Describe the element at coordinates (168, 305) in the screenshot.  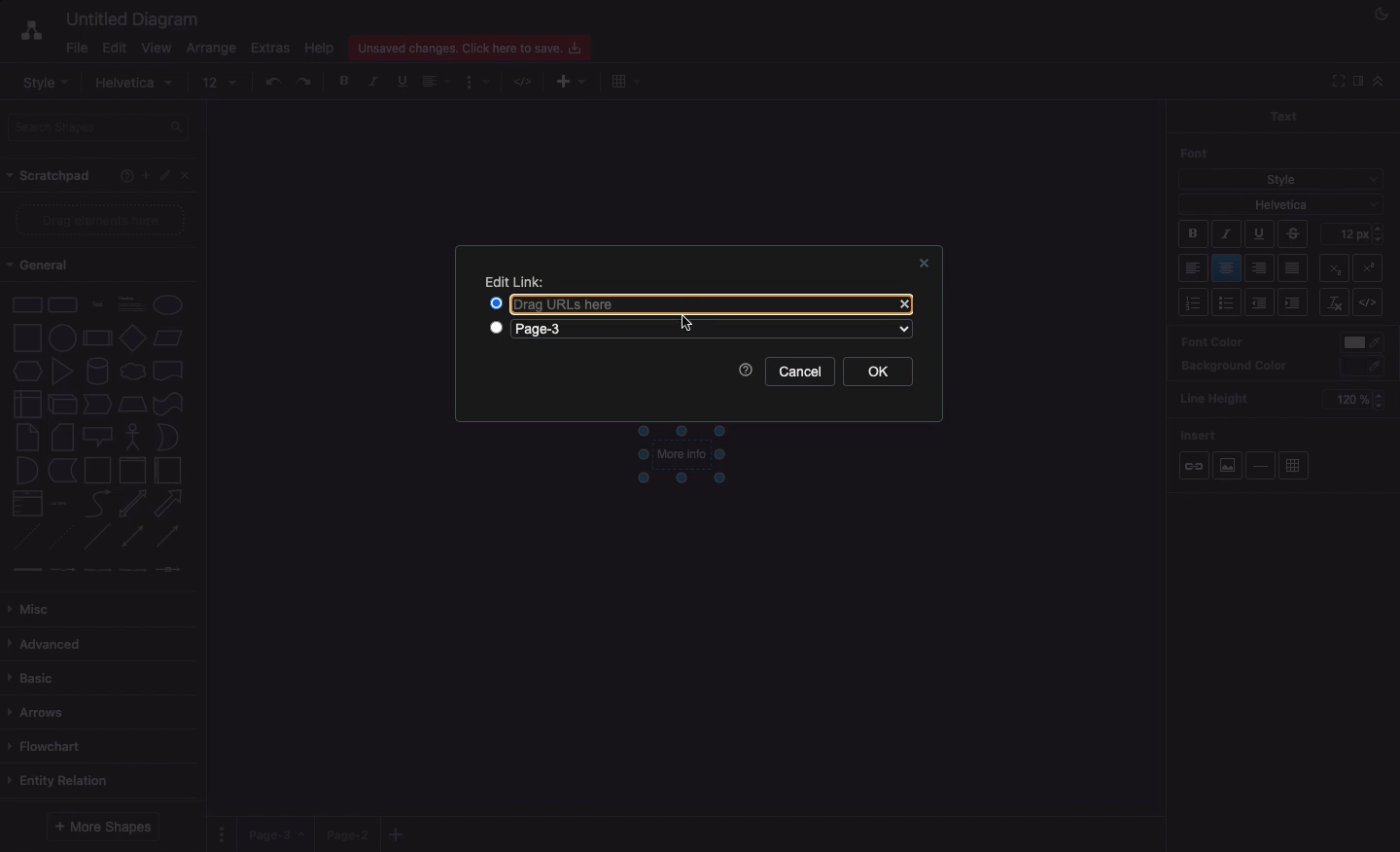
I see `Ellipse` at that location.